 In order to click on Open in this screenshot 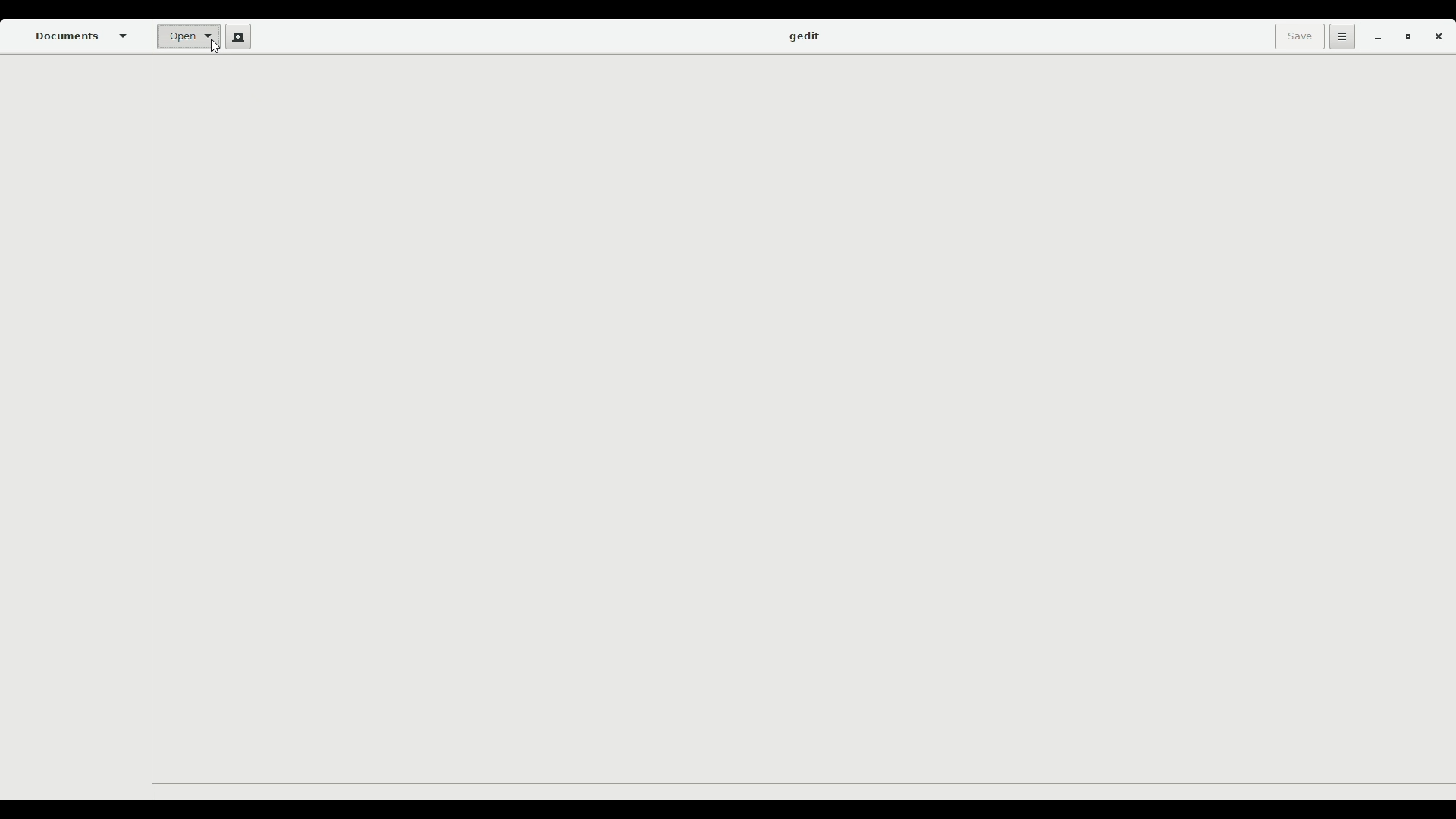, I will do `click(187, 38)`.